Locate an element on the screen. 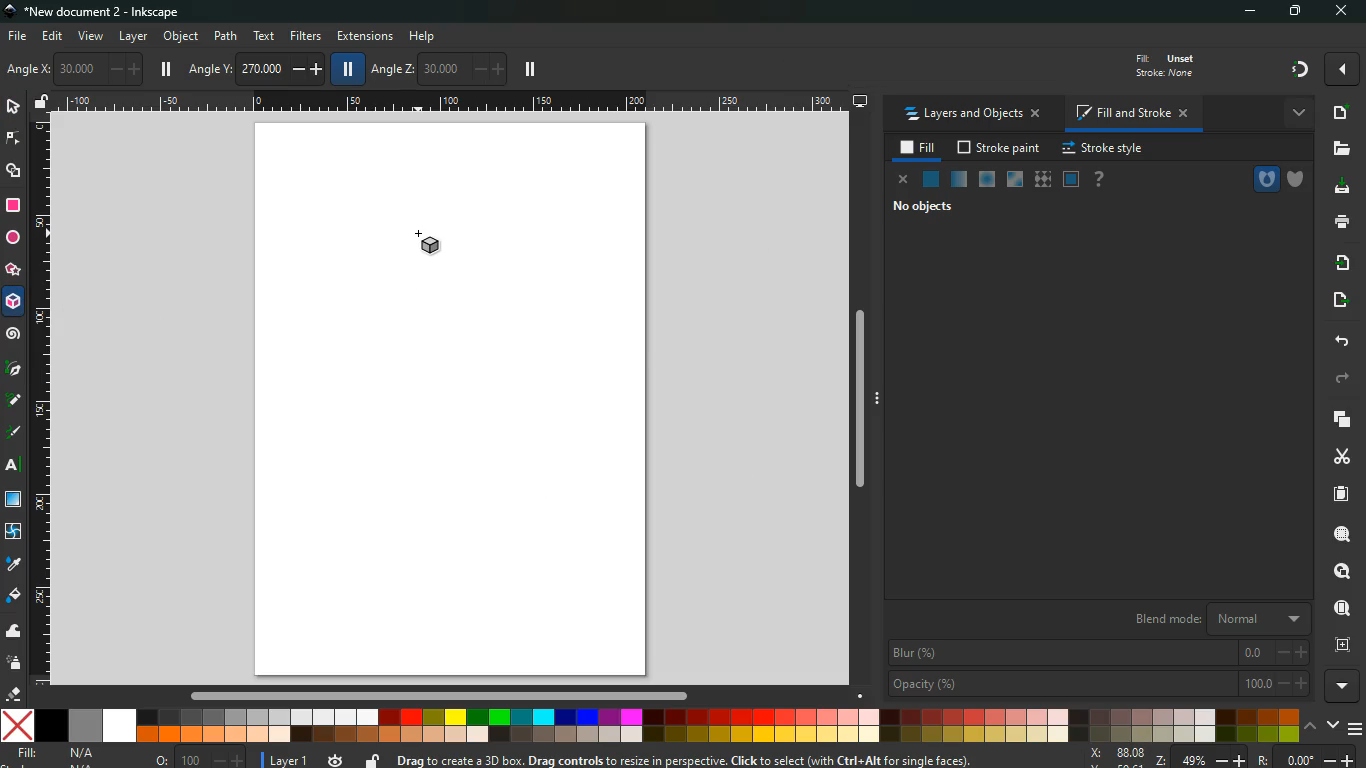 The image size is (1366, 768). Ruler is located at coordinates (454, 102).